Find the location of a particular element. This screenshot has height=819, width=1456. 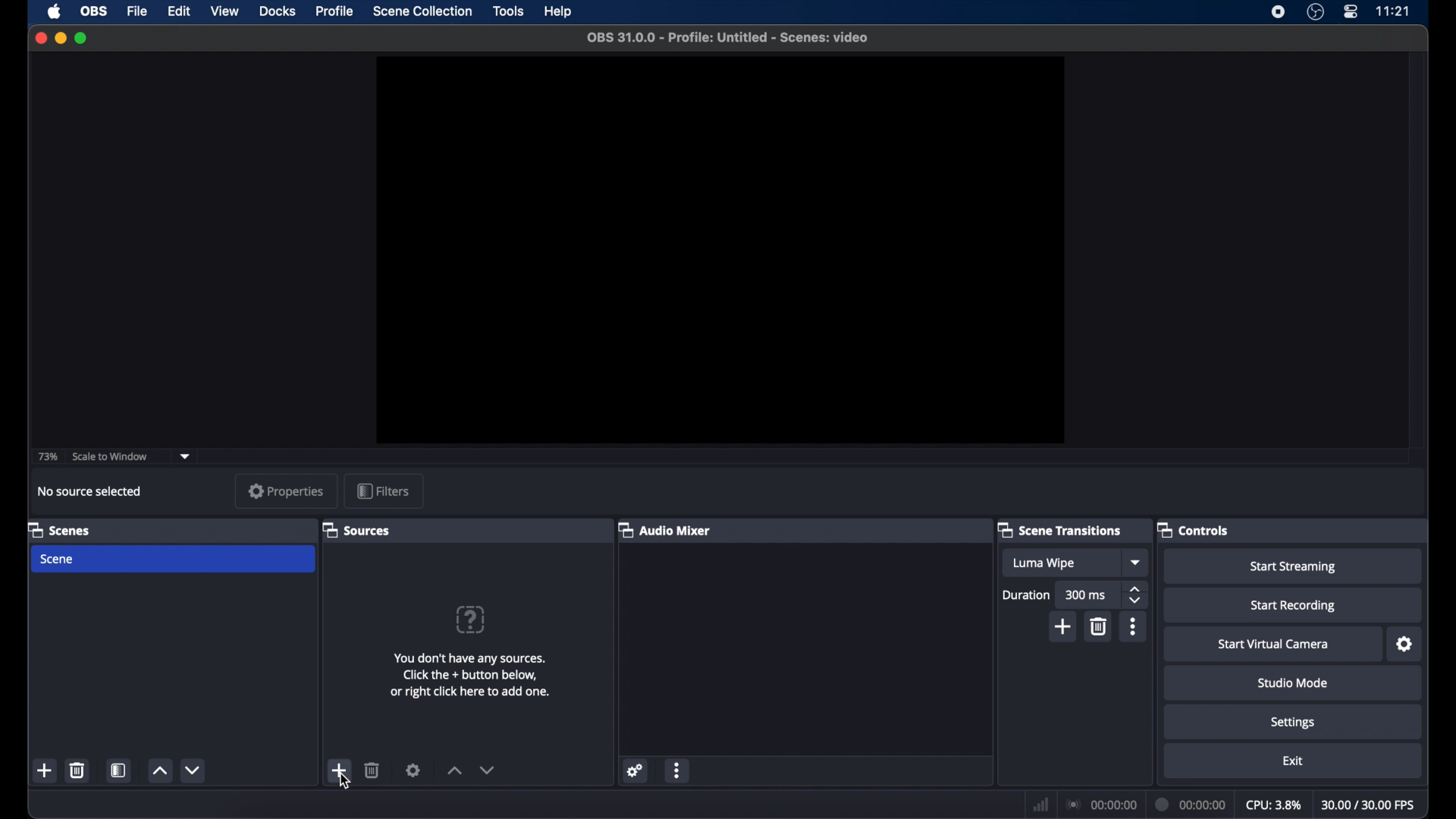

audio mixer is located at coordinates (664, 529).